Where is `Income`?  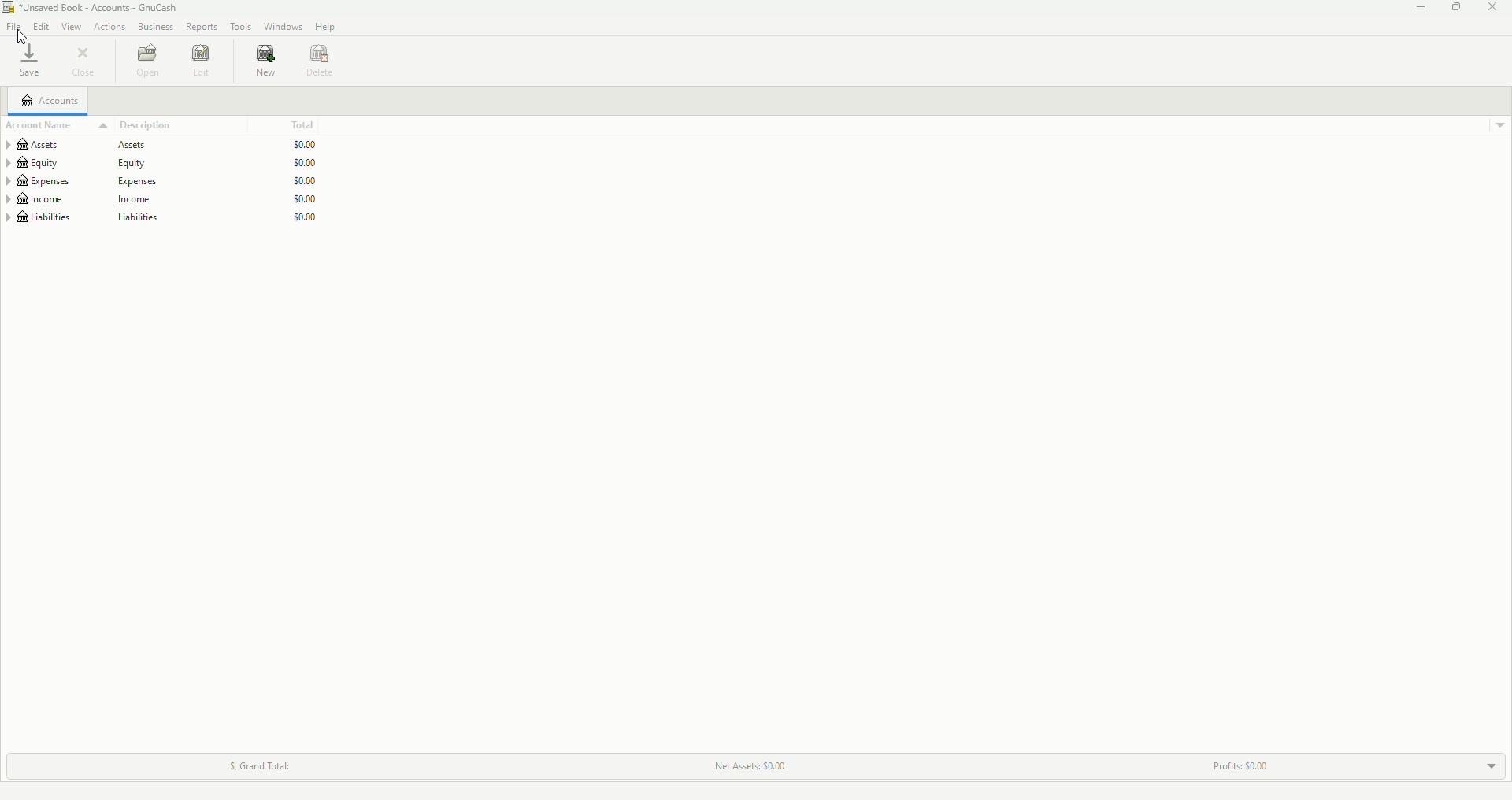
Income is located at coordinates (166, 199).